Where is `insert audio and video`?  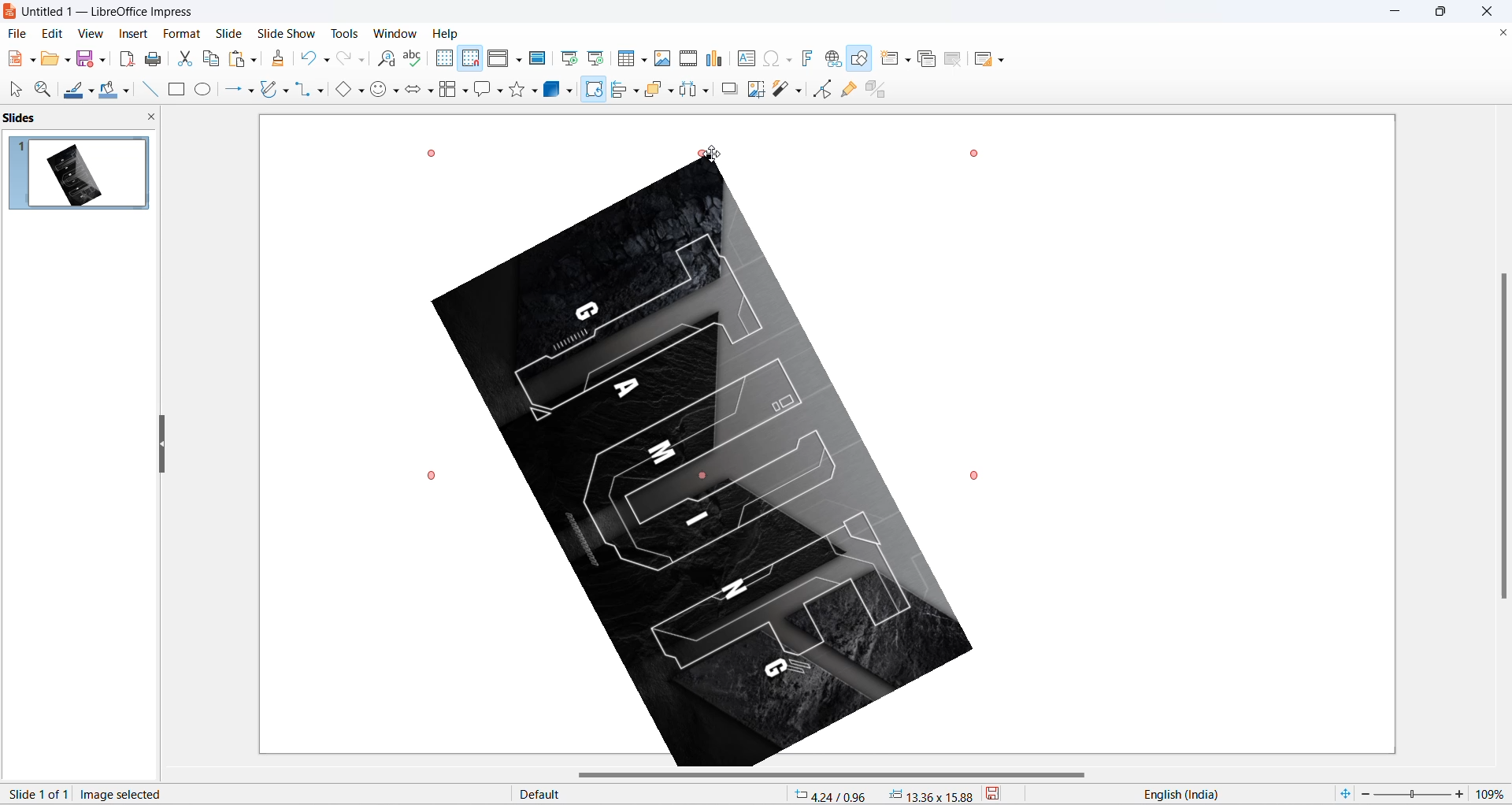
insert audio and video is located at coordinates (687, 58).